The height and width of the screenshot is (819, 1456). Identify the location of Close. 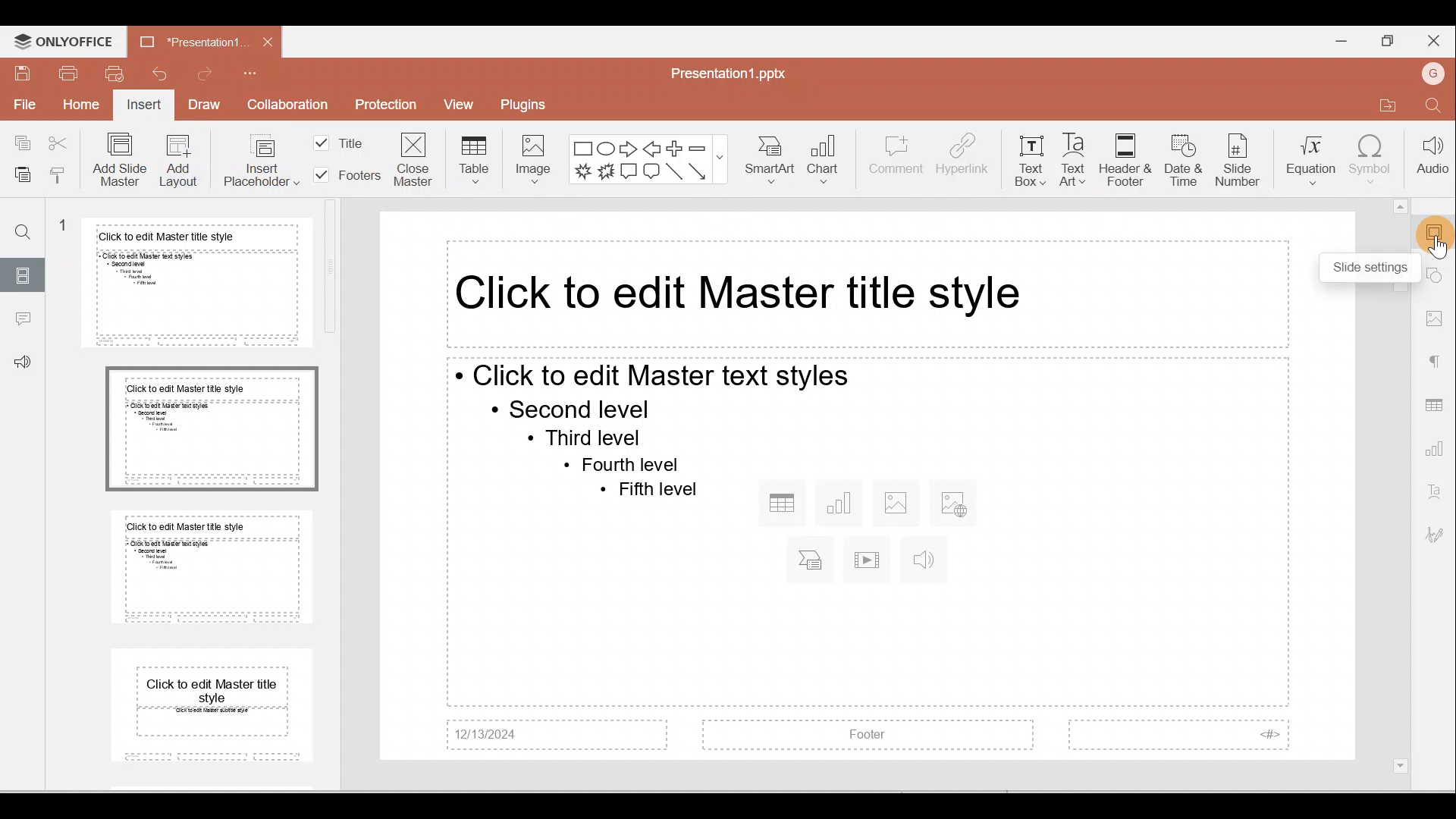
(1437, 42).